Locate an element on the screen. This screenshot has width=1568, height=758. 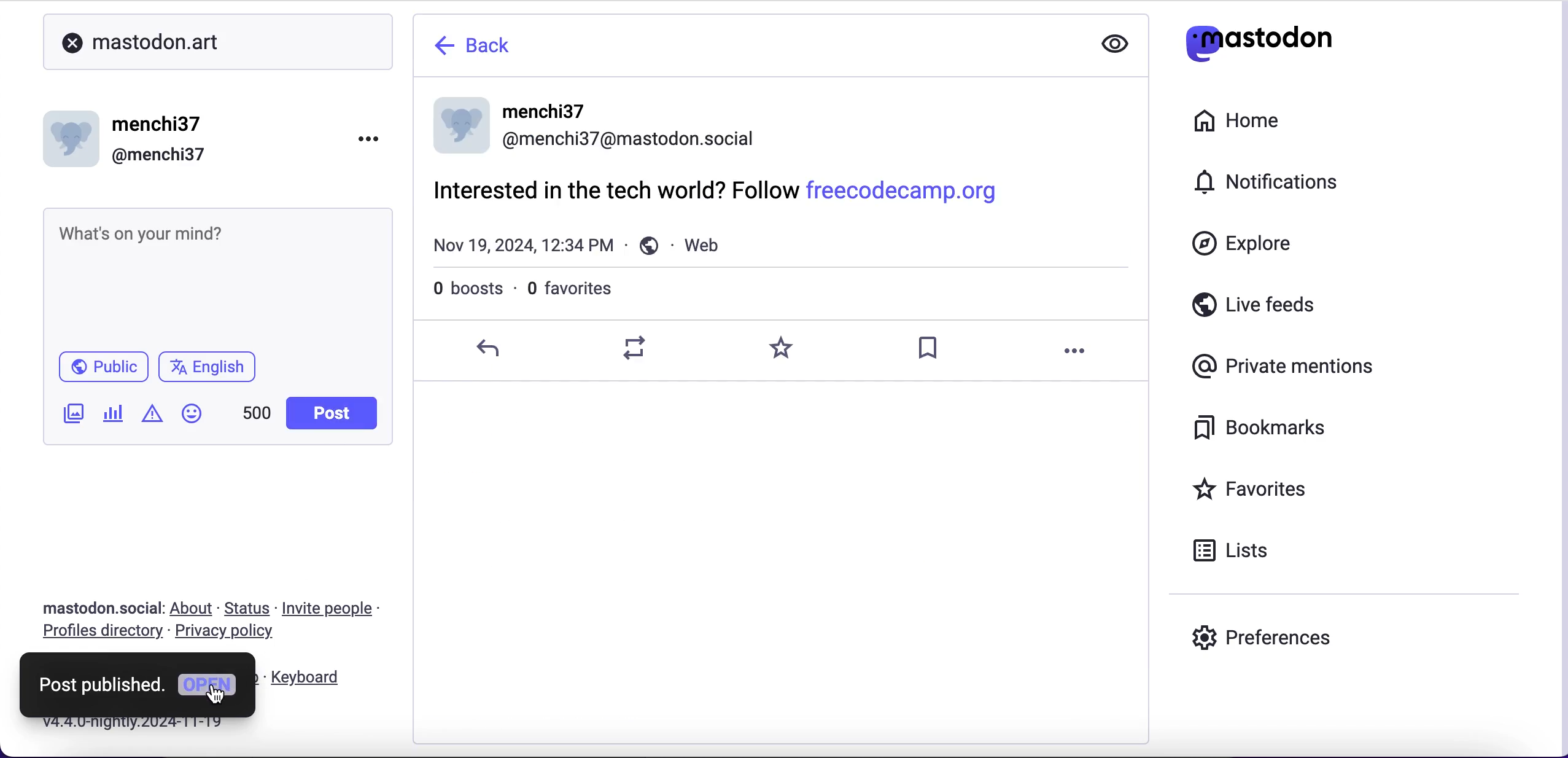
post published is located at coordinates (101, 684).